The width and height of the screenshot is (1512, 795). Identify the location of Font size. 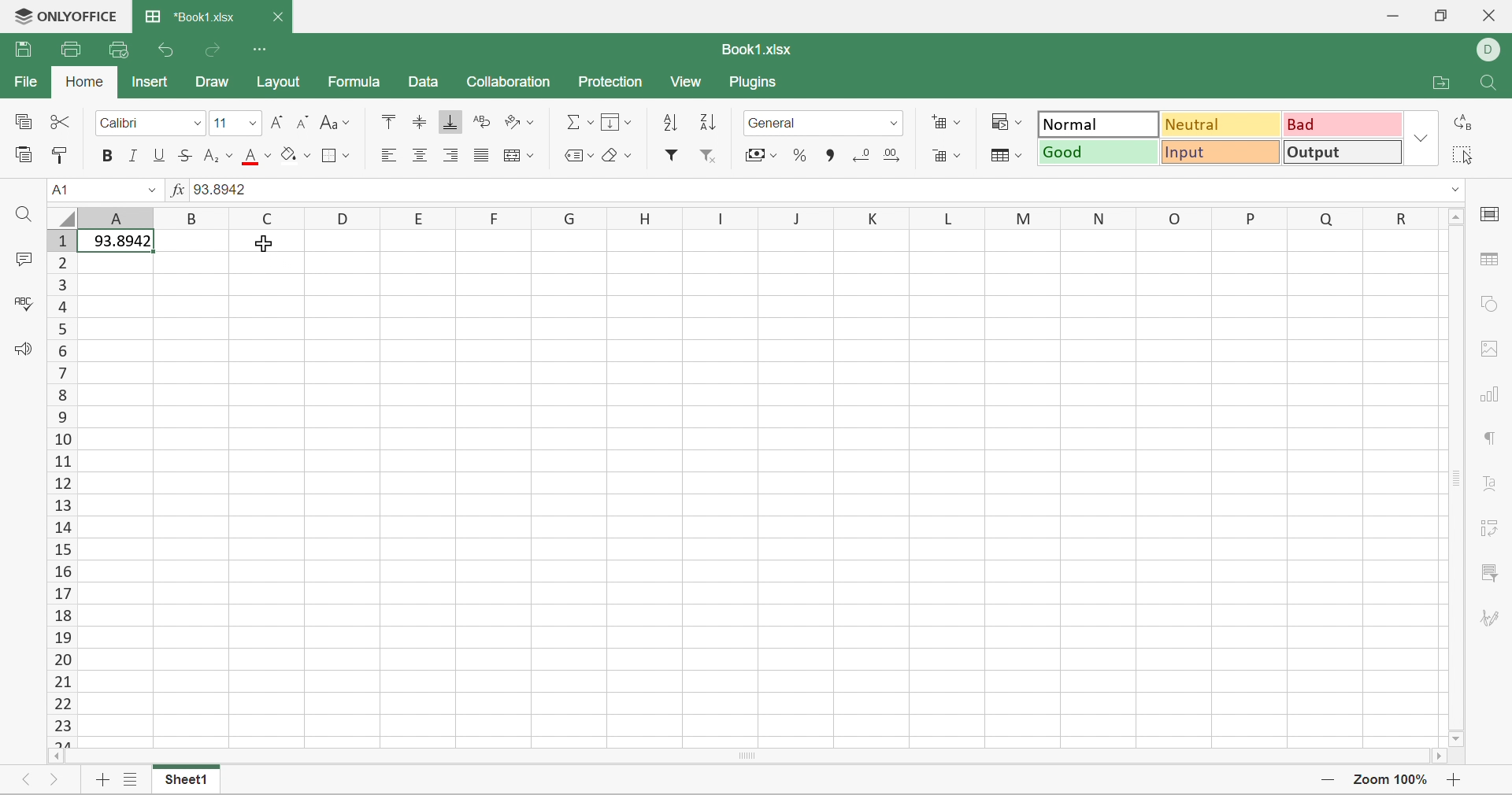
(221, 123).